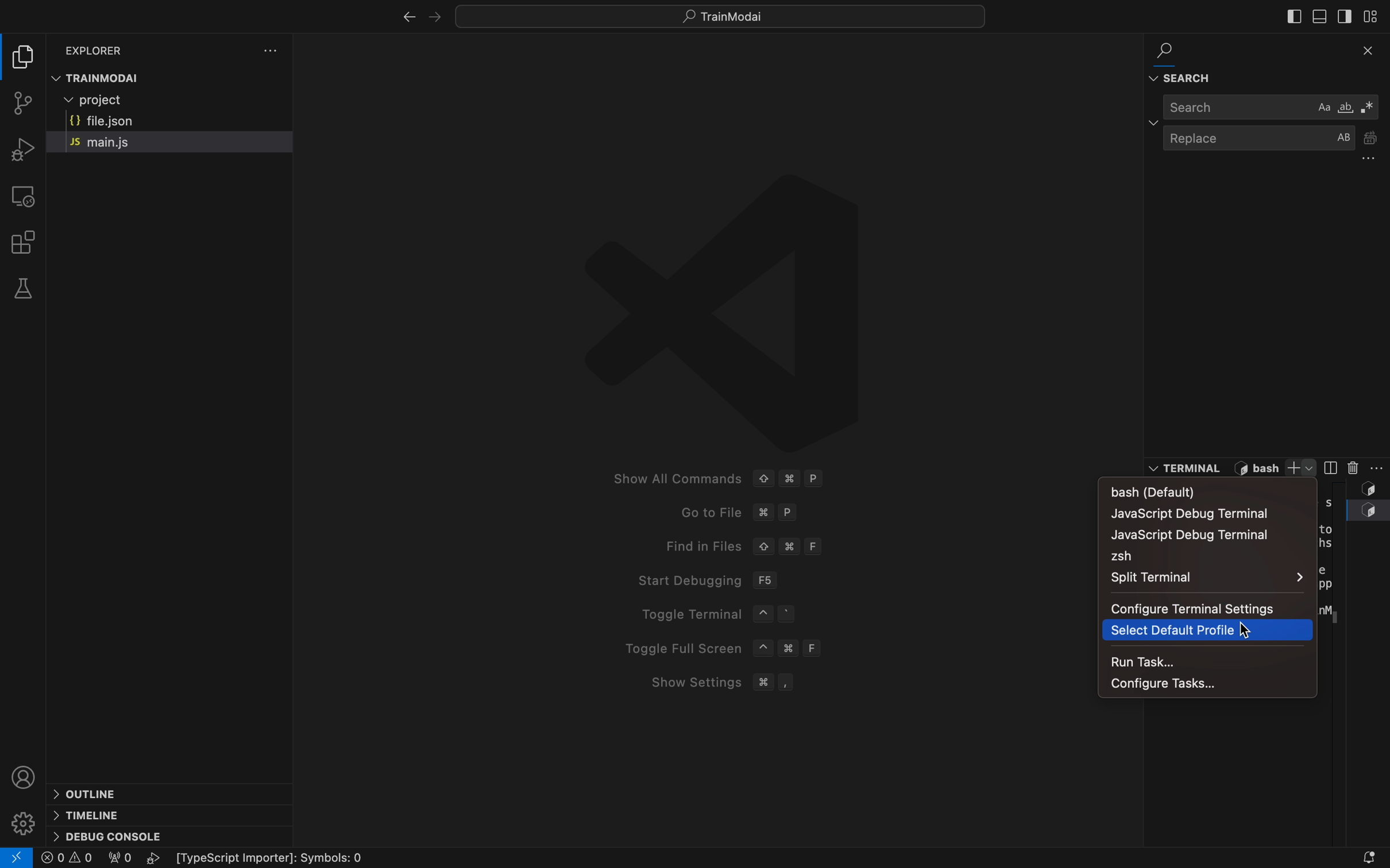  Describe the element at coordinates (1375, 15) in the screenshot. I see `layout` at that location.